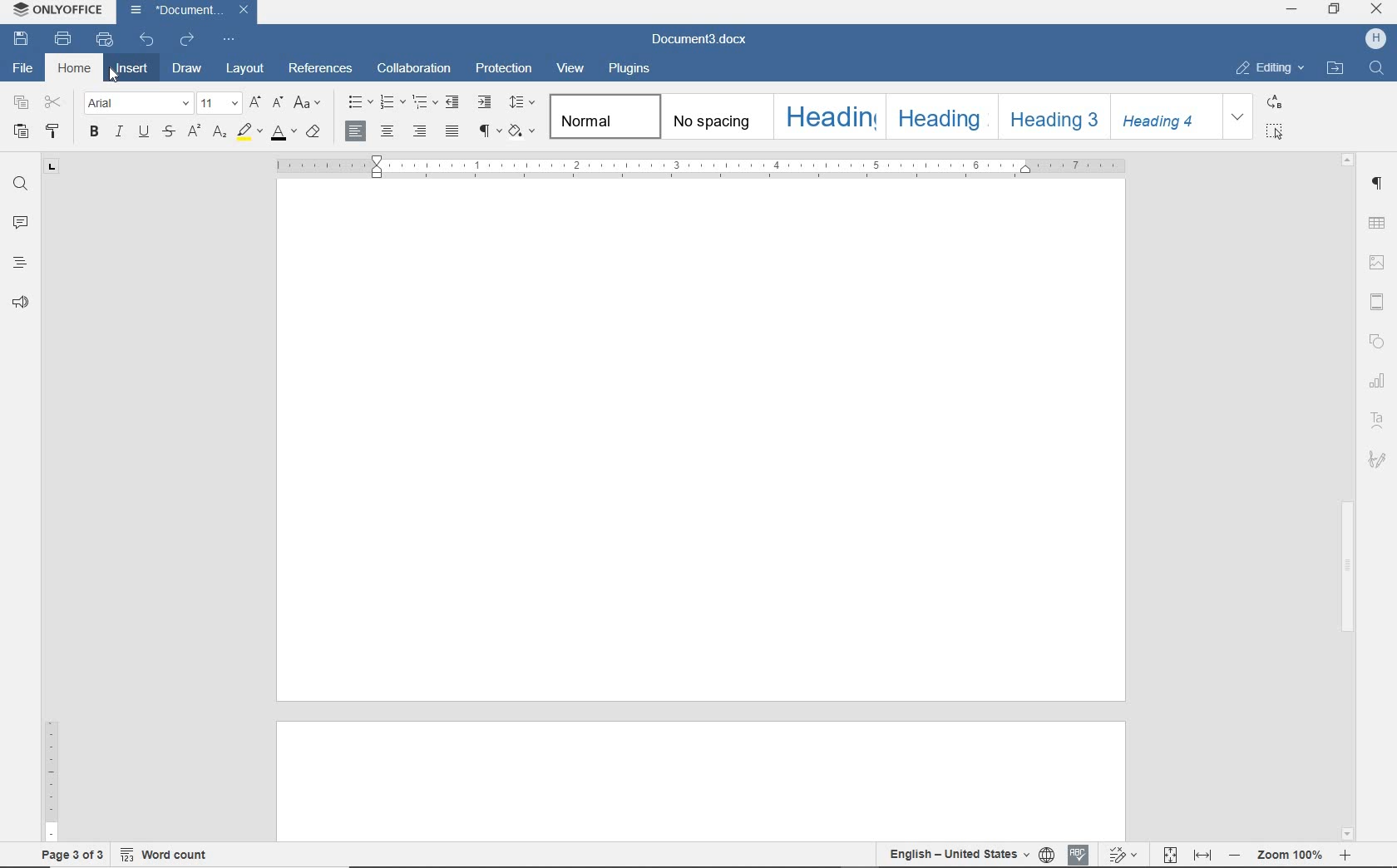  I want to click on NORMAL, so click(601, 116).